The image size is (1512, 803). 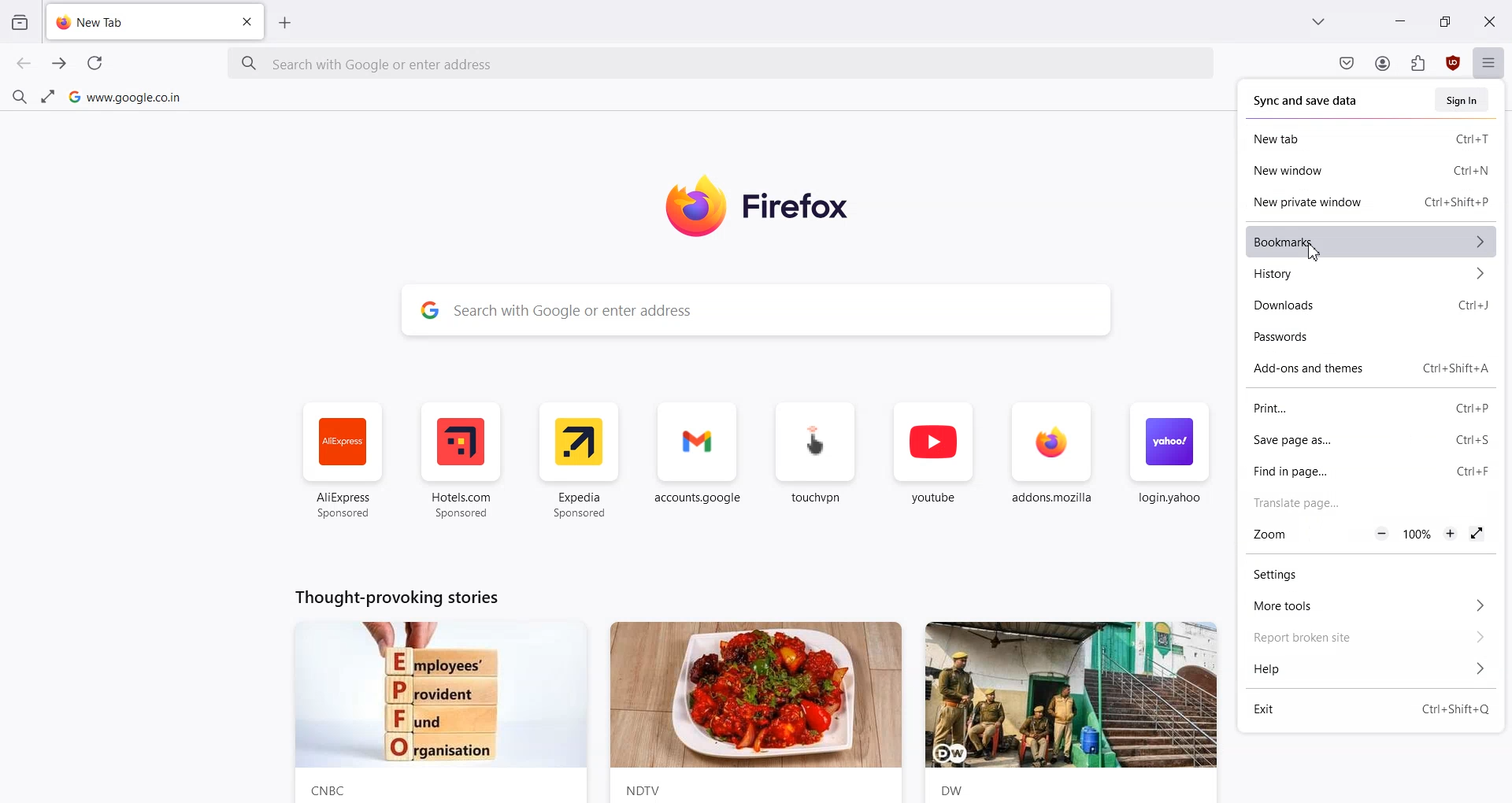 I want to click on Translate page, so click(x=1373, y=501).